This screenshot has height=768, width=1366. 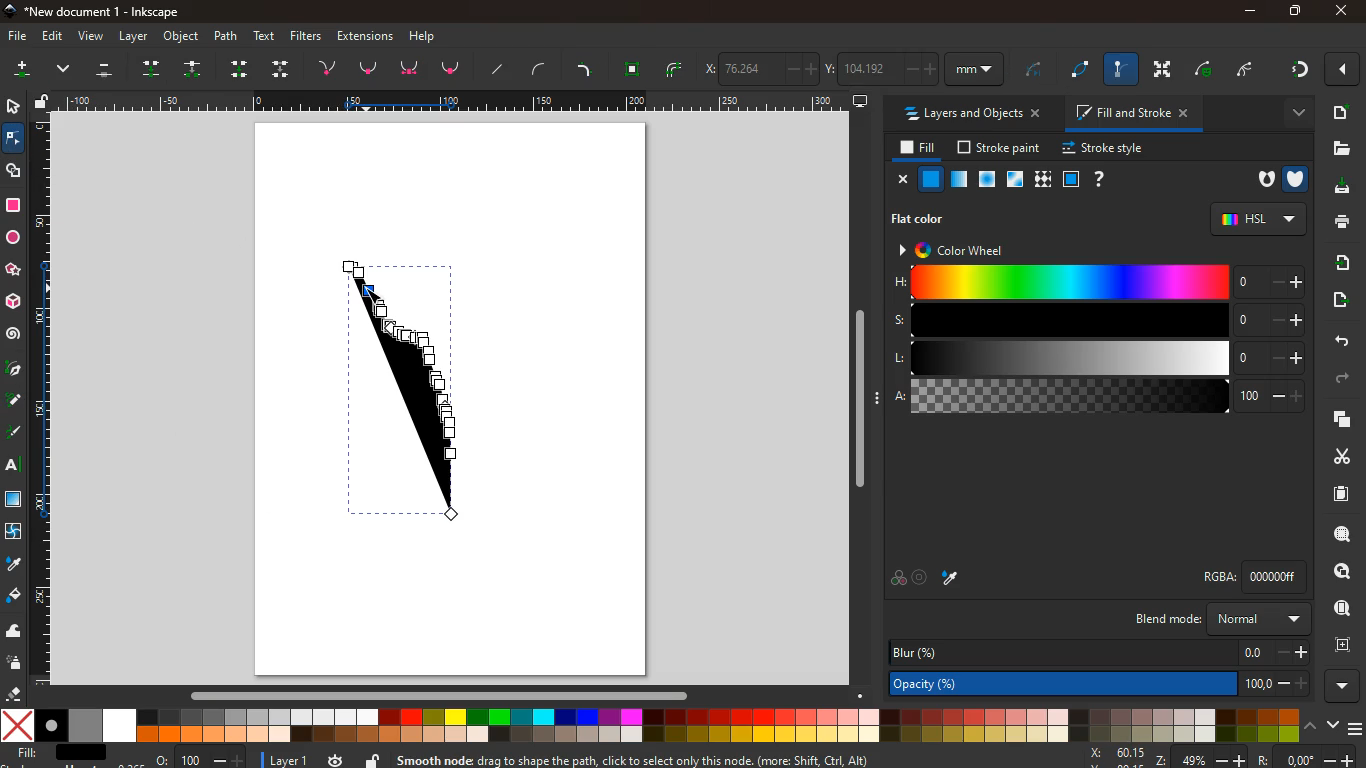 I want to click on texture, so click(x=1042, y=179).